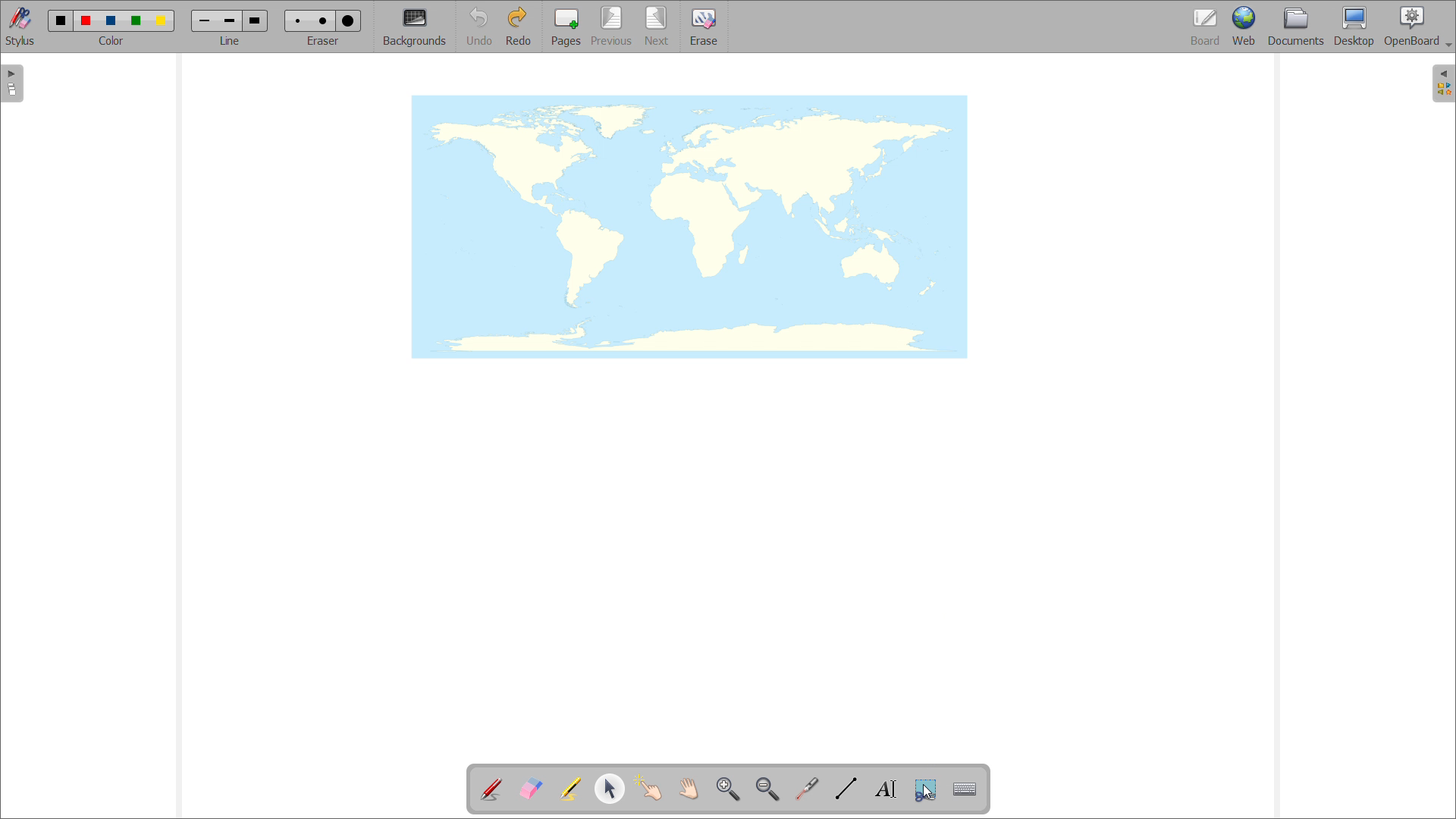 Image resolution: width=1456 pixels, height=819 pixels. What do you see at coordinates (704, 27) in the screenshot?
I see `erase` at bounding box center [704, 27].